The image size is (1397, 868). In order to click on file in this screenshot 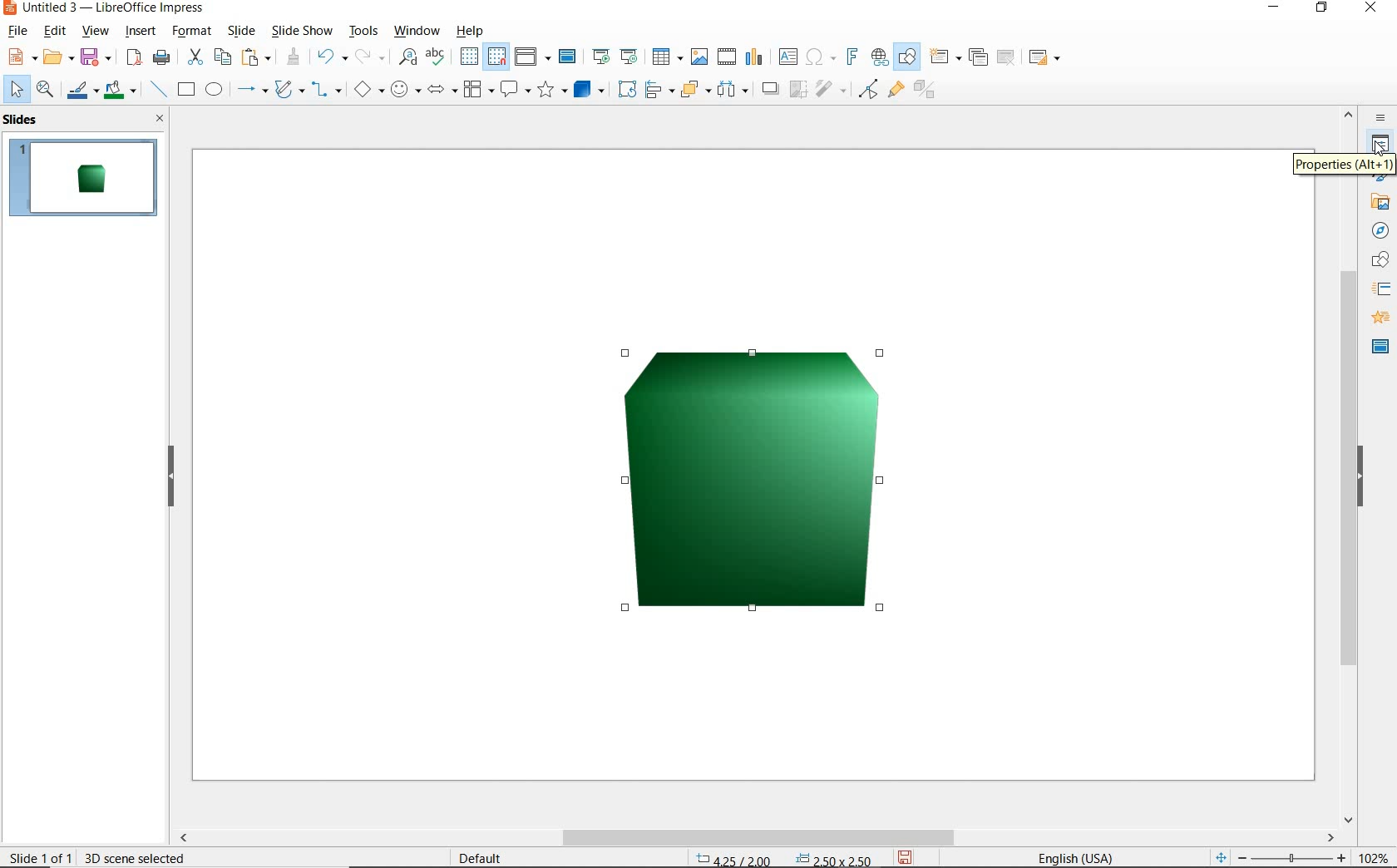, I will do `click(20, 31)`.